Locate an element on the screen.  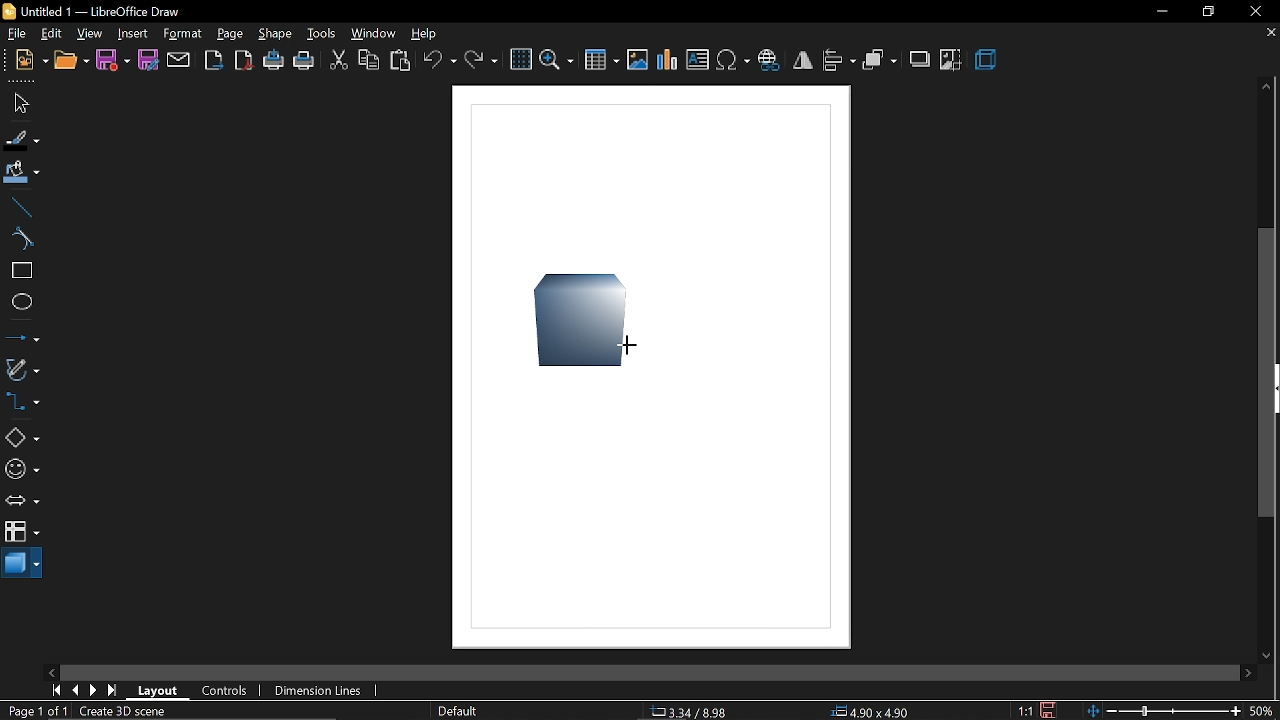
arrange is located at coordinates (879, 62).